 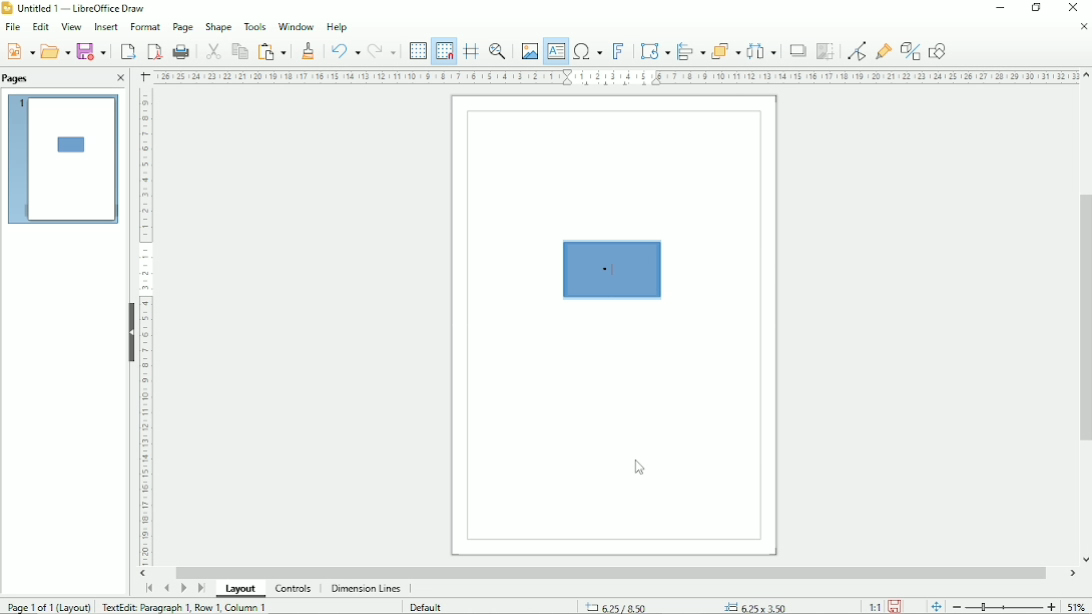 I want to click on Page, so click(x=183, y=27).